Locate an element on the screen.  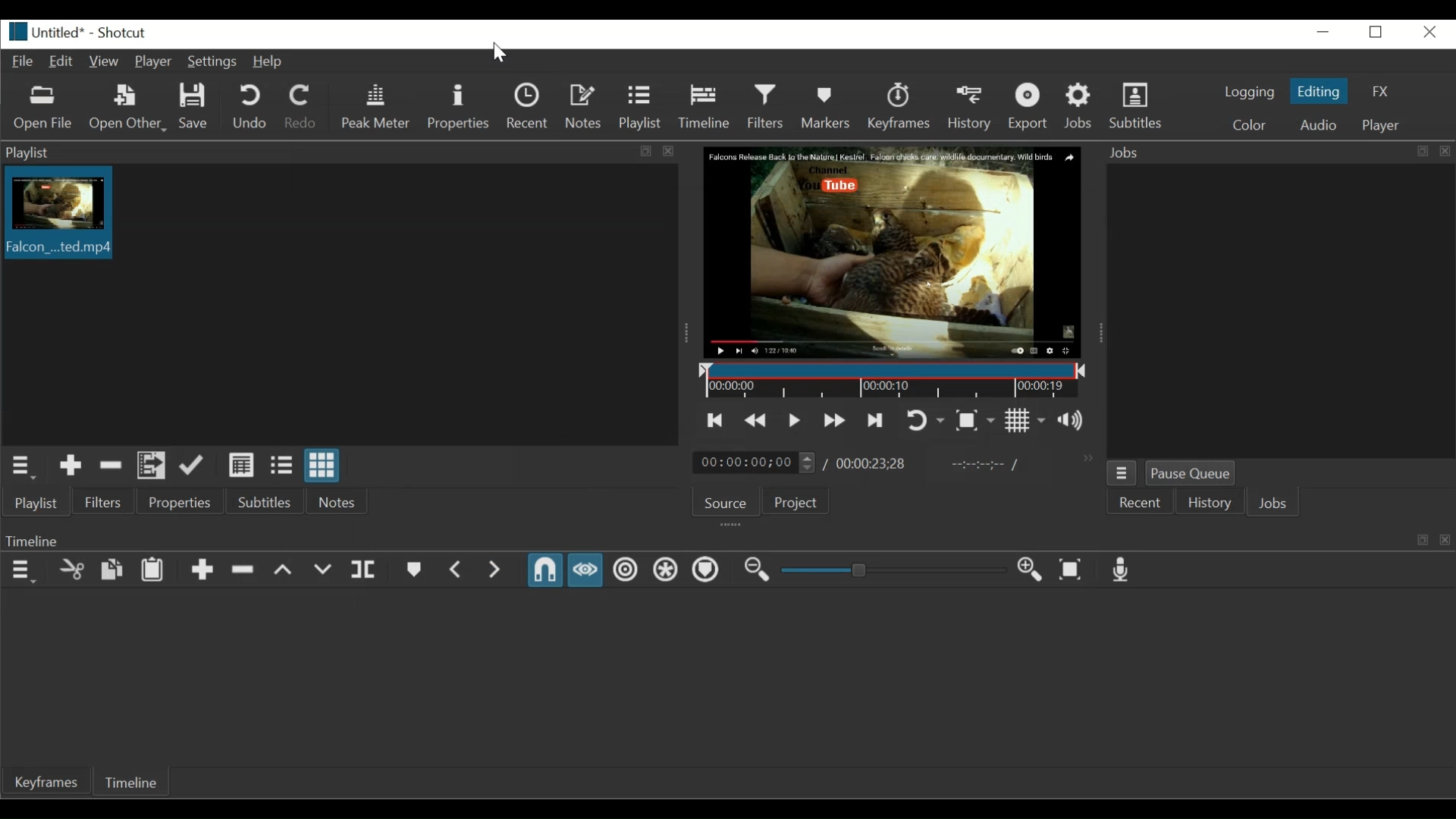
Restore is located at coordinates (1379, 33).